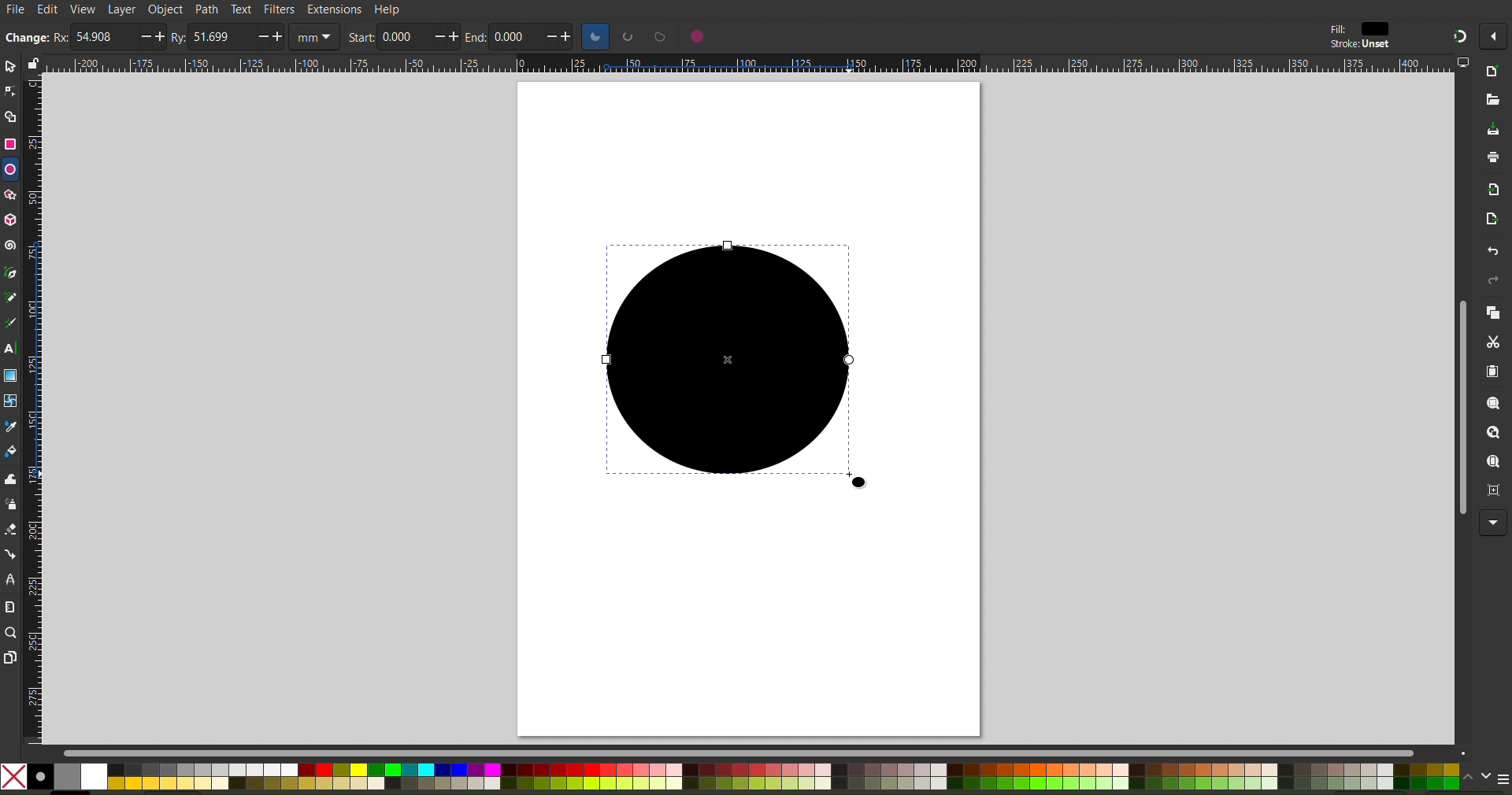 This screenshot has width=1512, height=795. I want to click on , so click(729, 779).